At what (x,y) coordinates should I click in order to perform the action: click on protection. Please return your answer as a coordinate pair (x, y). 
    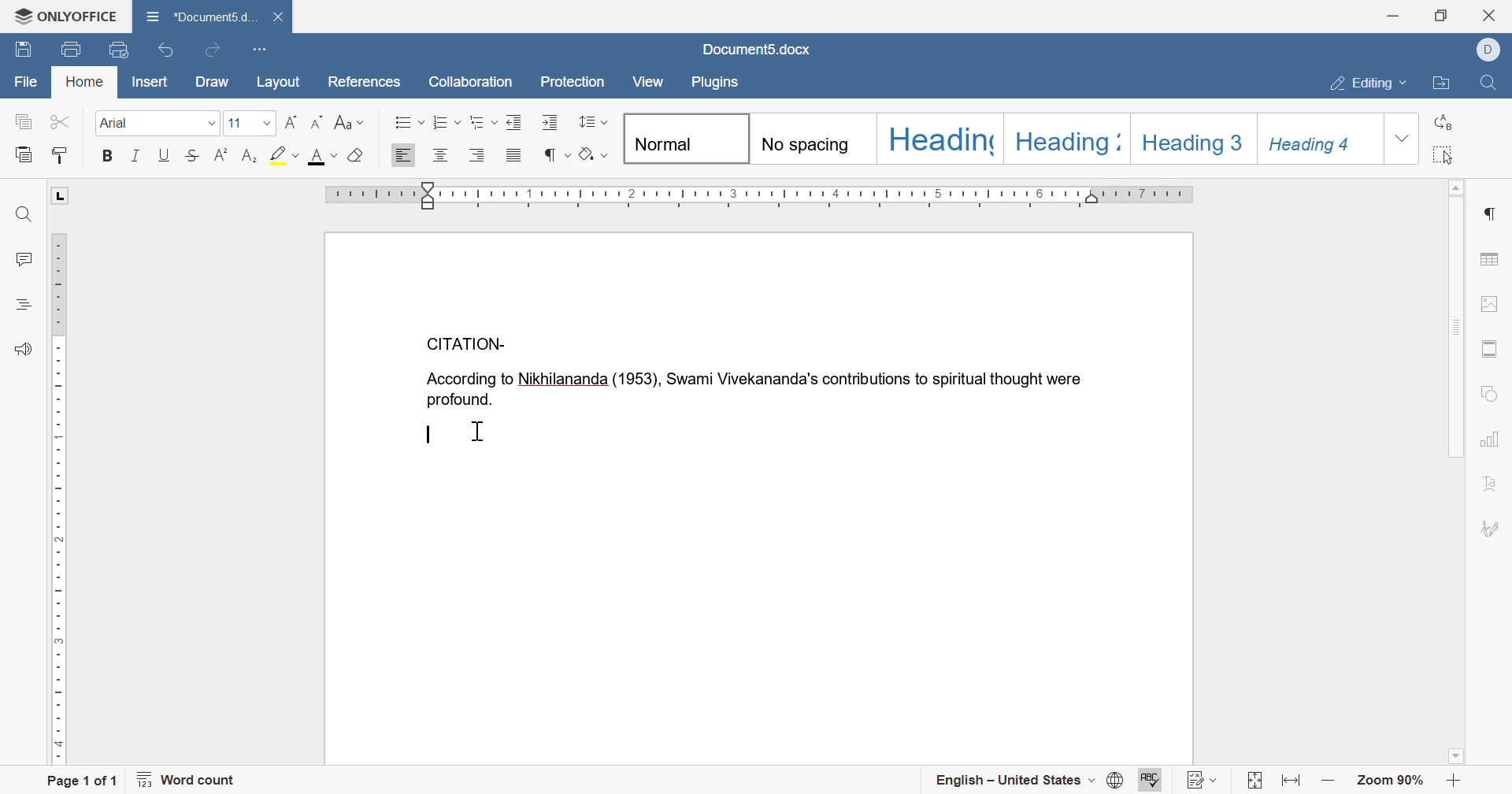
    Looking at the image, I should click on (576, 82).